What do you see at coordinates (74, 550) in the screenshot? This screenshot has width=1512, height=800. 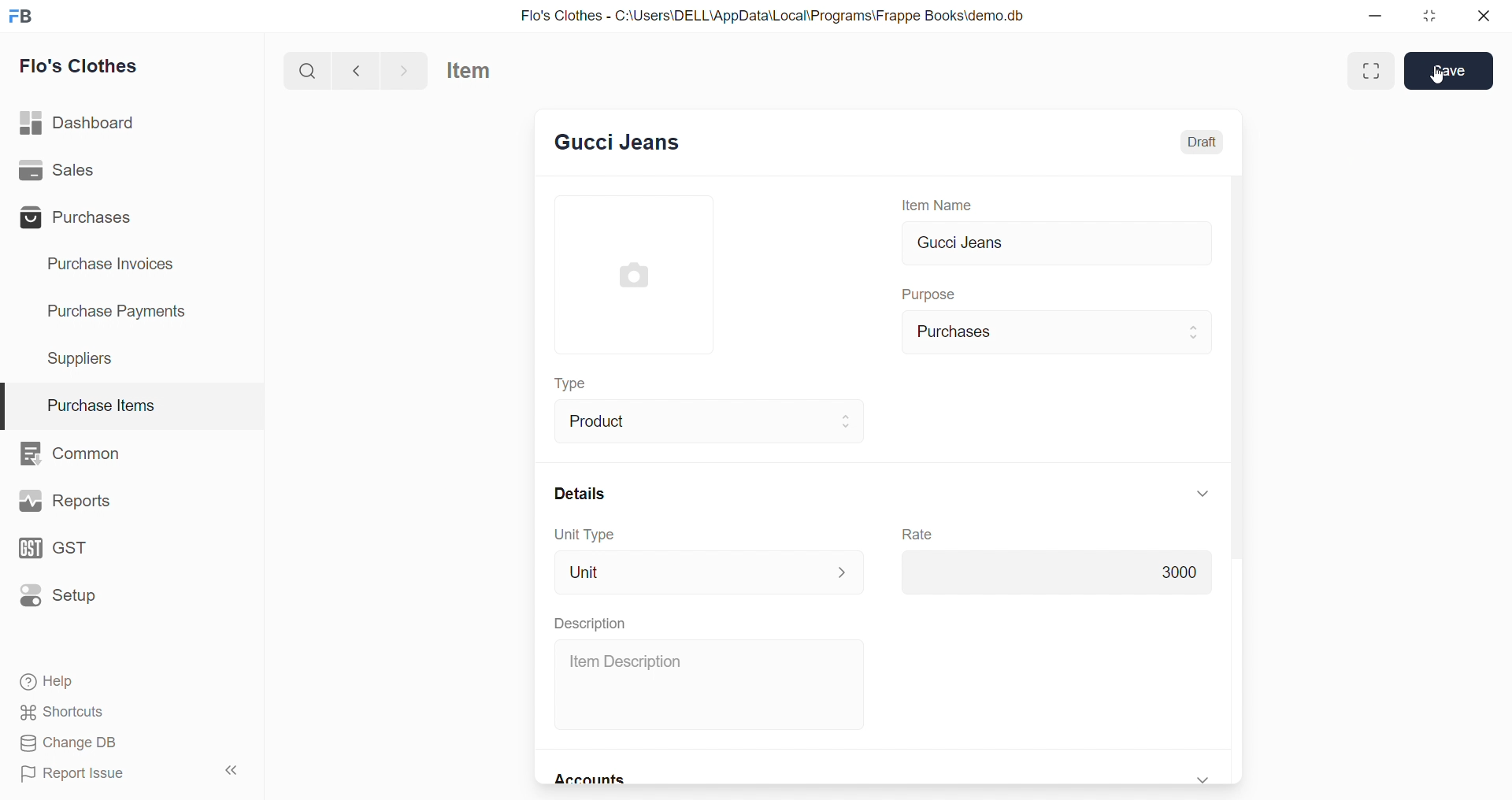 I see `GST` at bounding box center [74, 550].